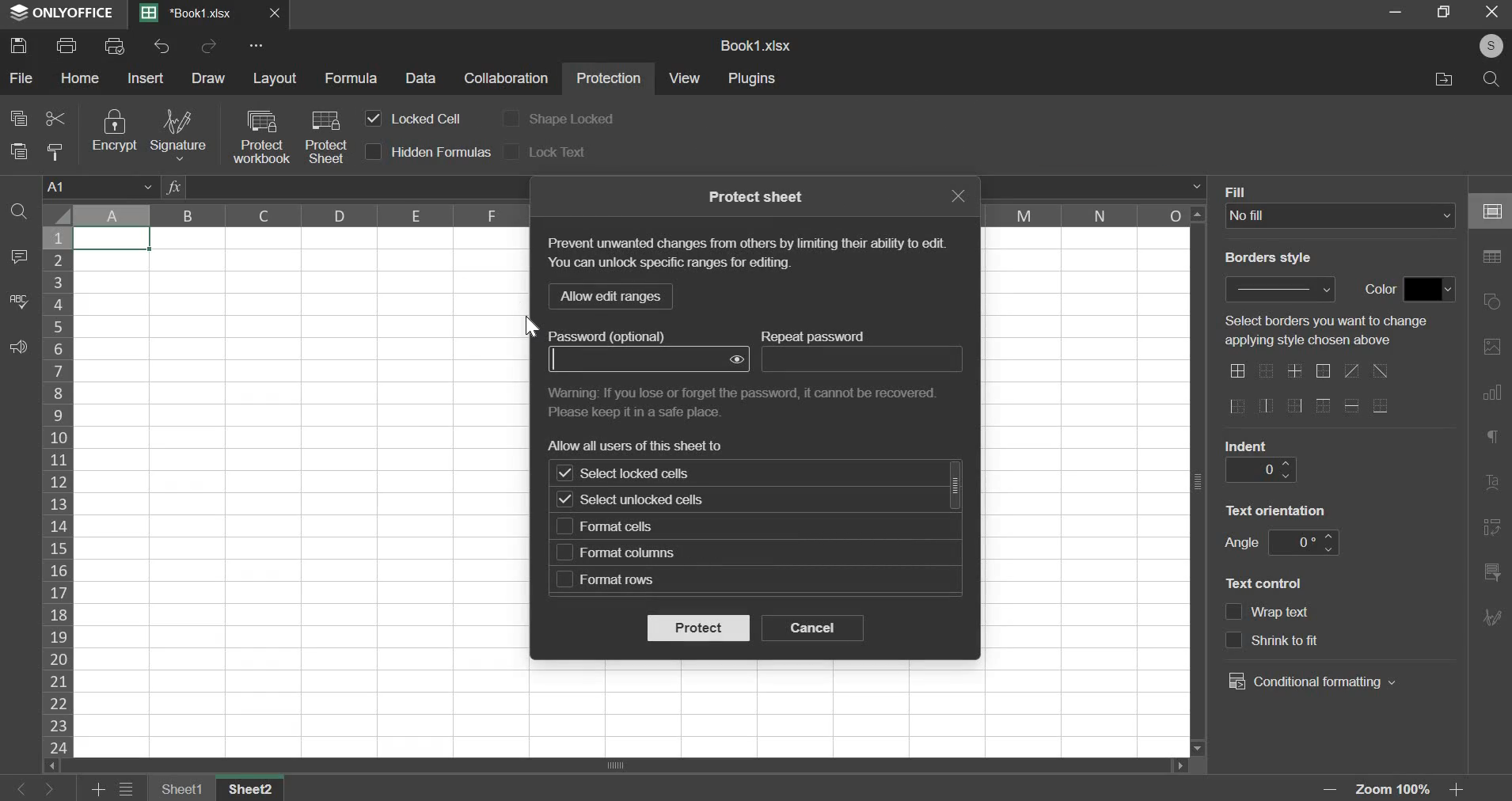 The image size is (1512, 801). What do you see at coordinates (635, 359) in the screenshot?
I see `password` at bounding box center [635, 359].